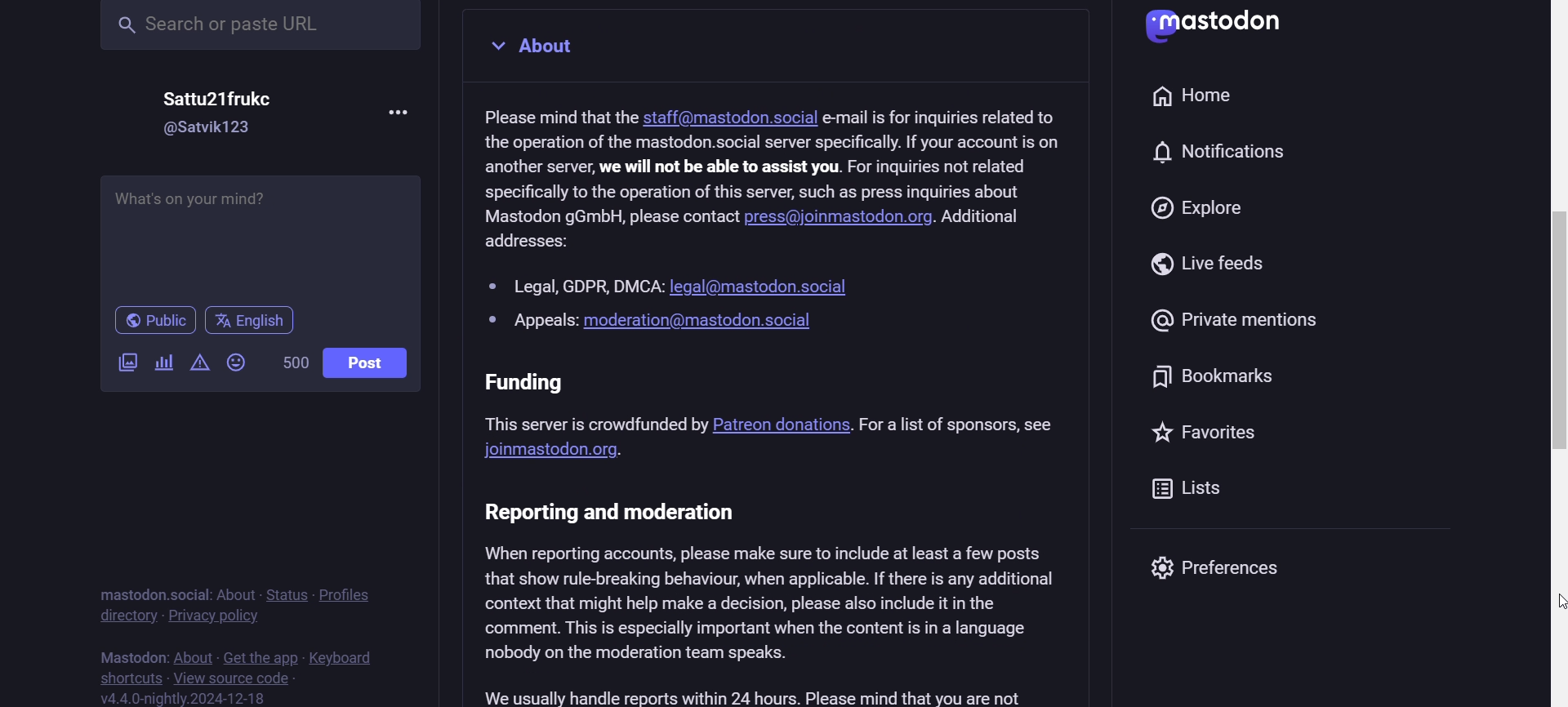  I want to click on additional, so click(985, 216).